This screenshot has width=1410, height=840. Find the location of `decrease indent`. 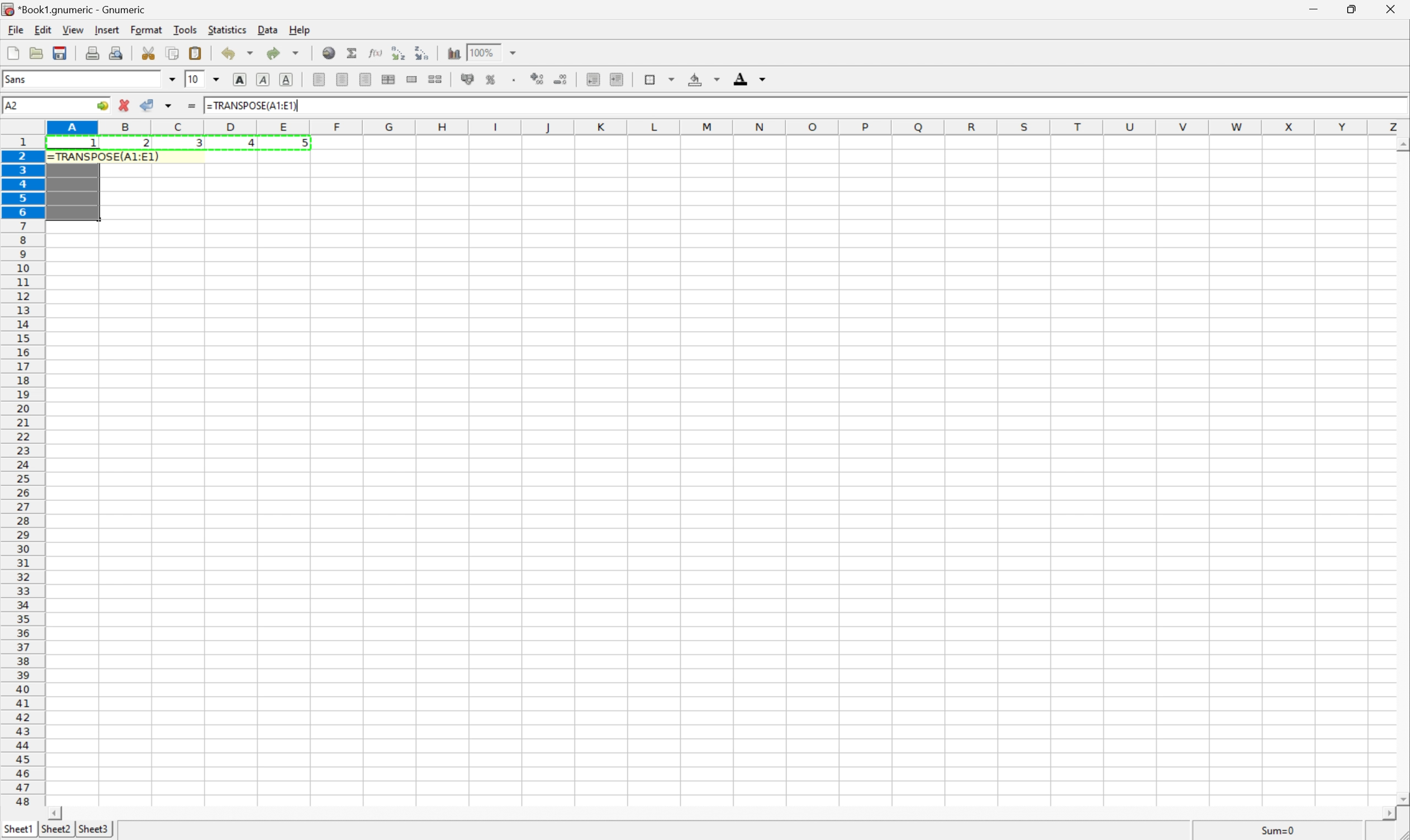

decrease indent is located at coordinates (593, 80).